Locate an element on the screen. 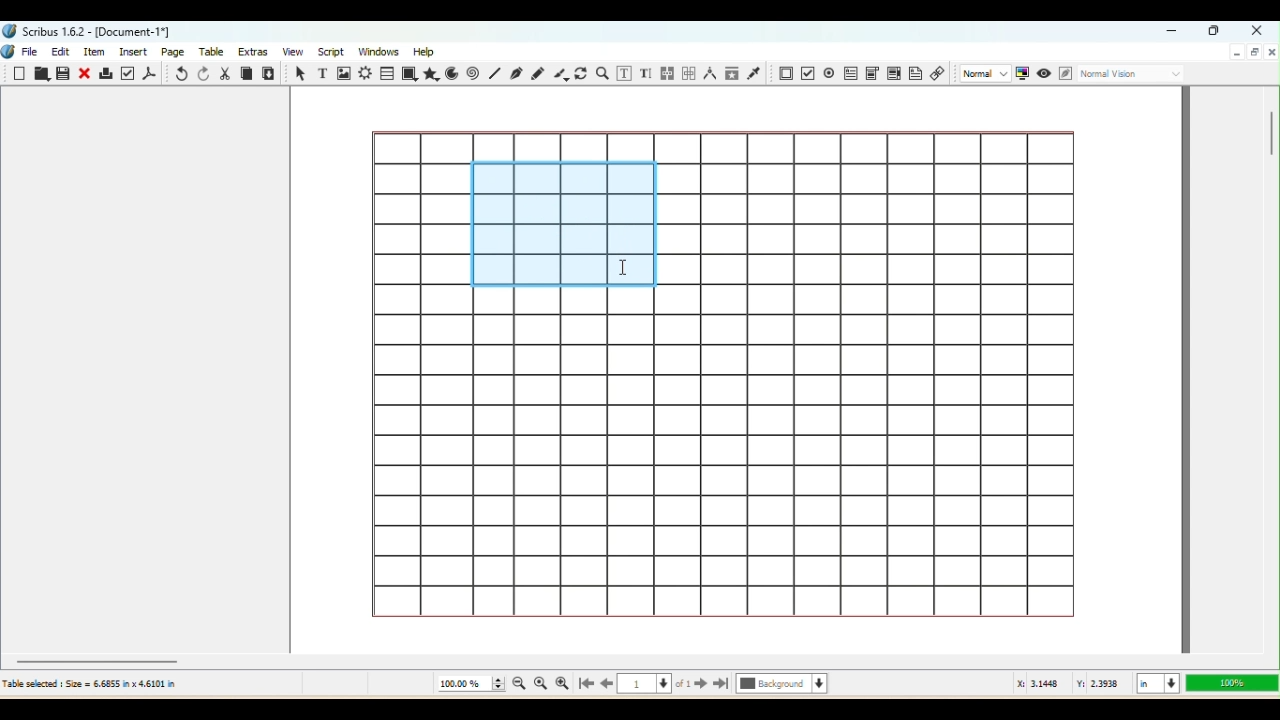  Measurements is located at coordinates (708, 74).